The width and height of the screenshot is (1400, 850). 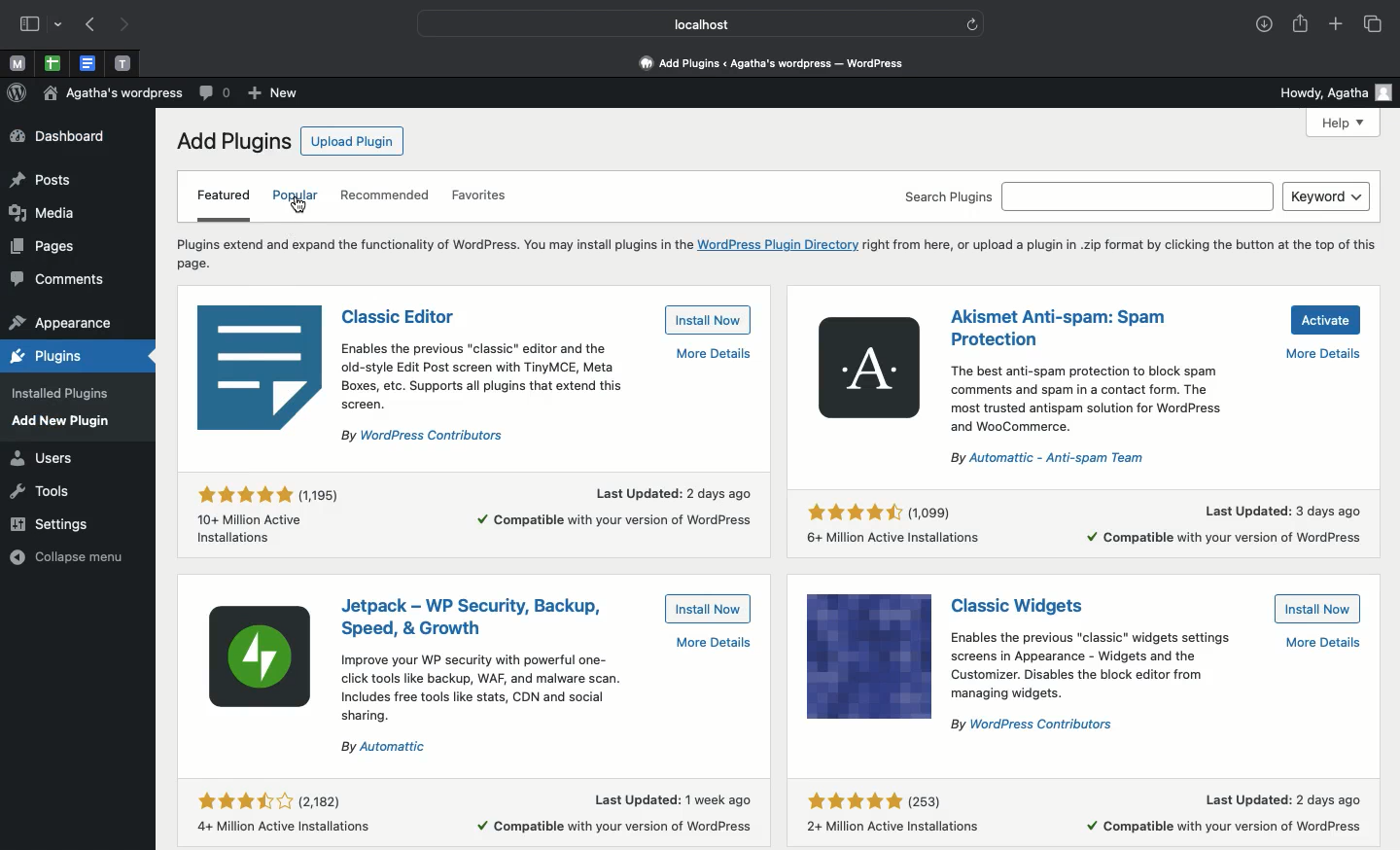 I want to click on Pinned tabs, so click(x=18, y=65).